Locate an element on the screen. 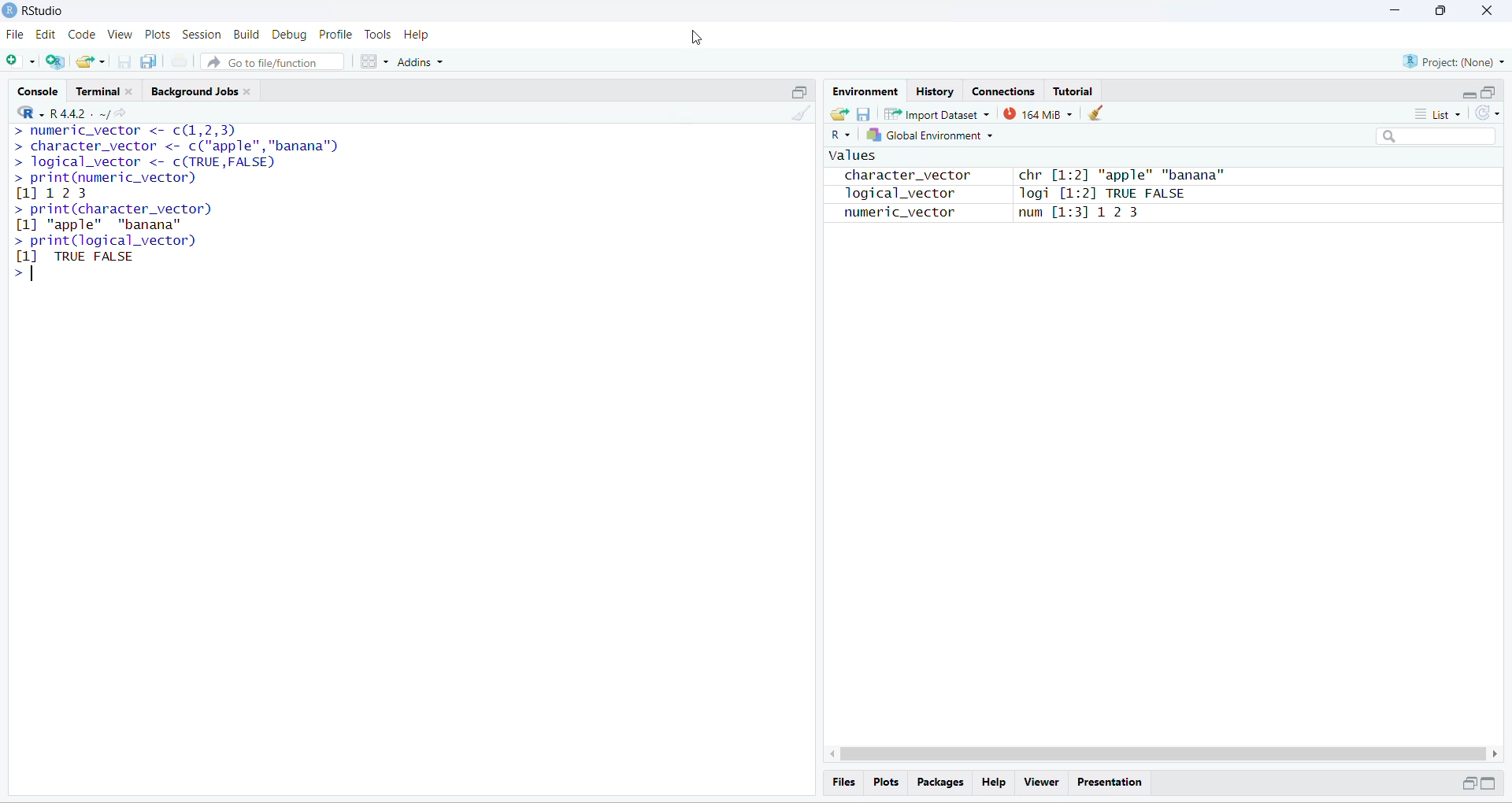 The width and height of the screenshot is (1512, 803). logi [1:2] TRUE FALSE is located at coordinates (1099, 194).